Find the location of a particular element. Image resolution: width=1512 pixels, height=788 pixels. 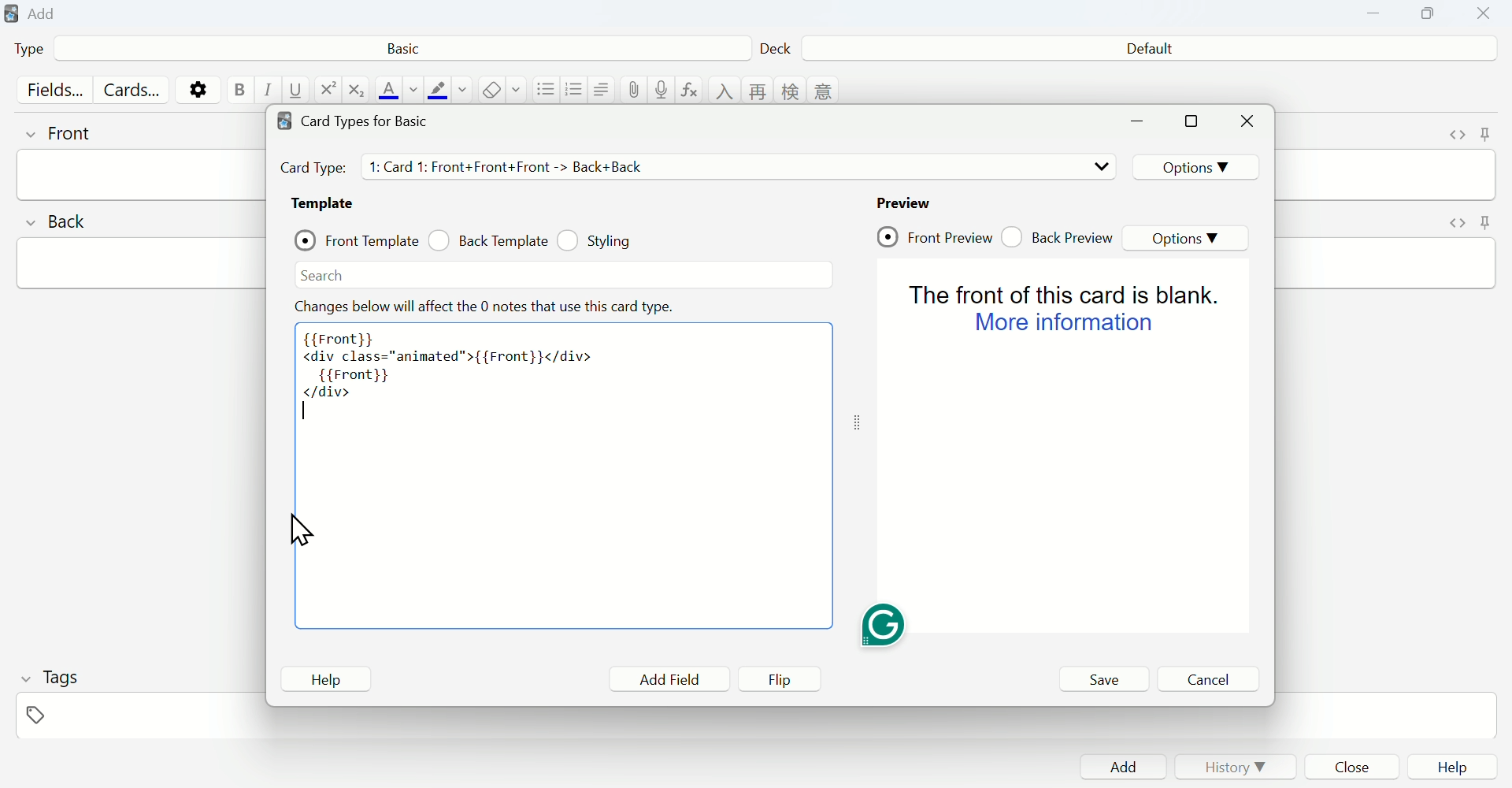

language is located at coordinates (756, 90).